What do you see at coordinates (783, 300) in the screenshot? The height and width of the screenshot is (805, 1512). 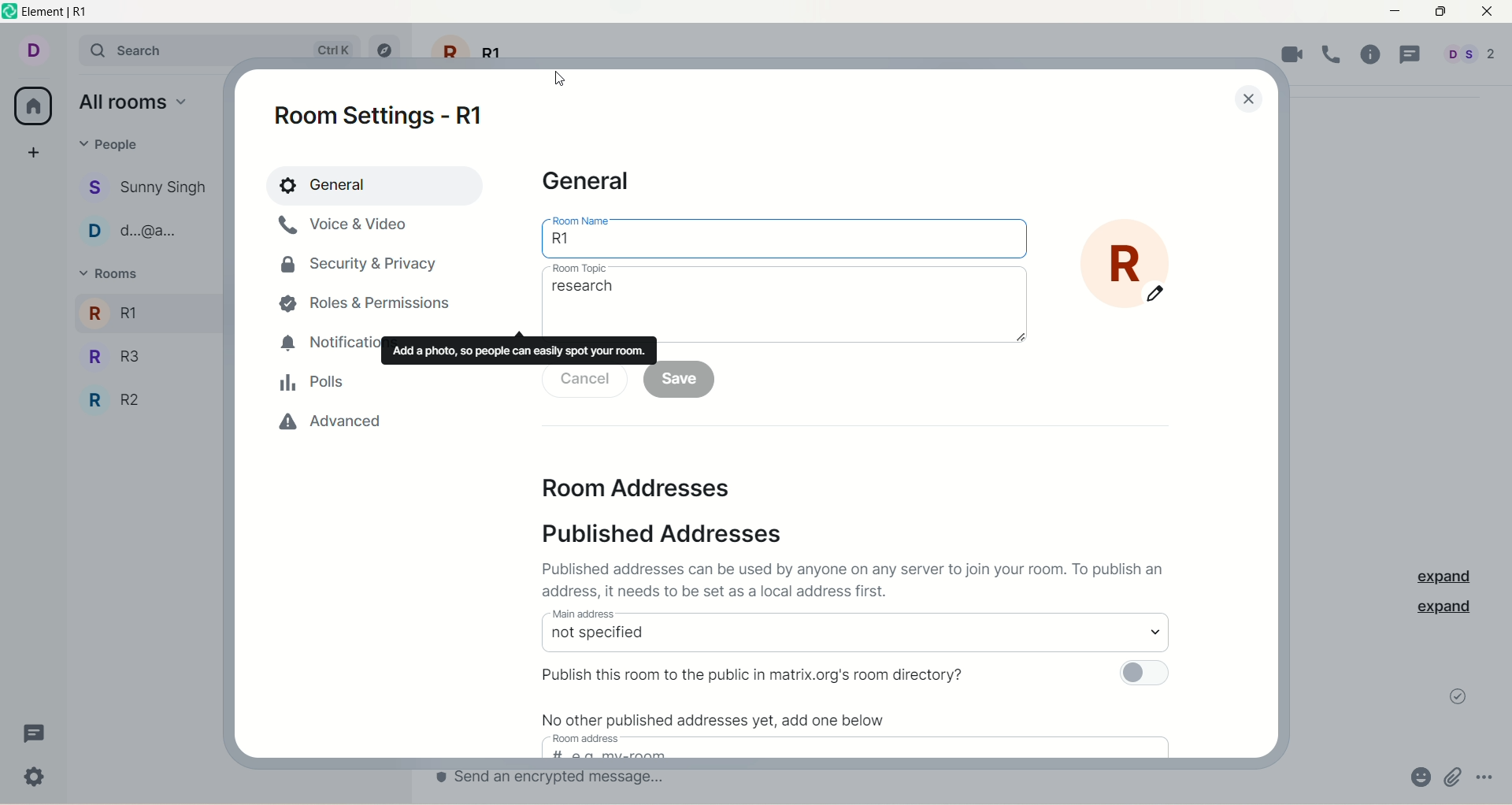 I see `room type` at bounding box center [783, 300].